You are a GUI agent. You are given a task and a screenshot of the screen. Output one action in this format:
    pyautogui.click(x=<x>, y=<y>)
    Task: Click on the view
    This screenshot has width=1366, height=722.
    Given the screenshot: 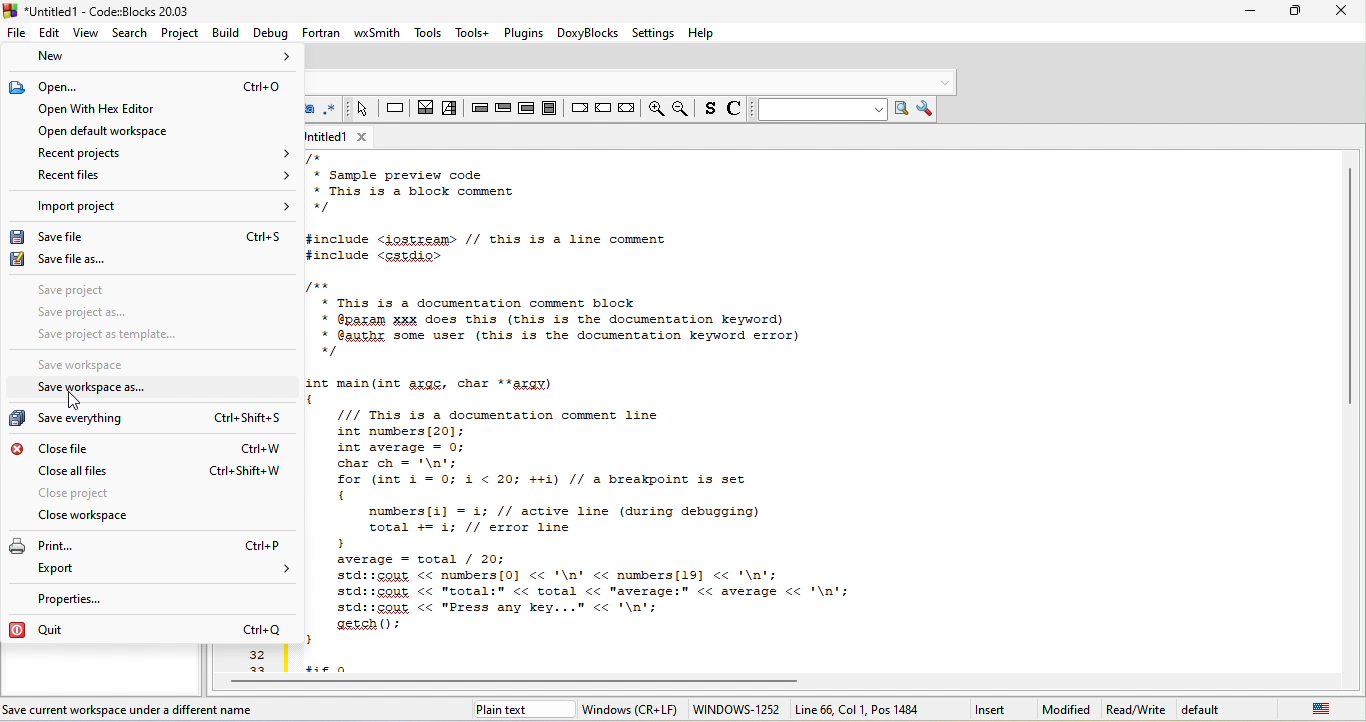 What is the action you would take?
    pyautogui.click(x=87, y=34)
    